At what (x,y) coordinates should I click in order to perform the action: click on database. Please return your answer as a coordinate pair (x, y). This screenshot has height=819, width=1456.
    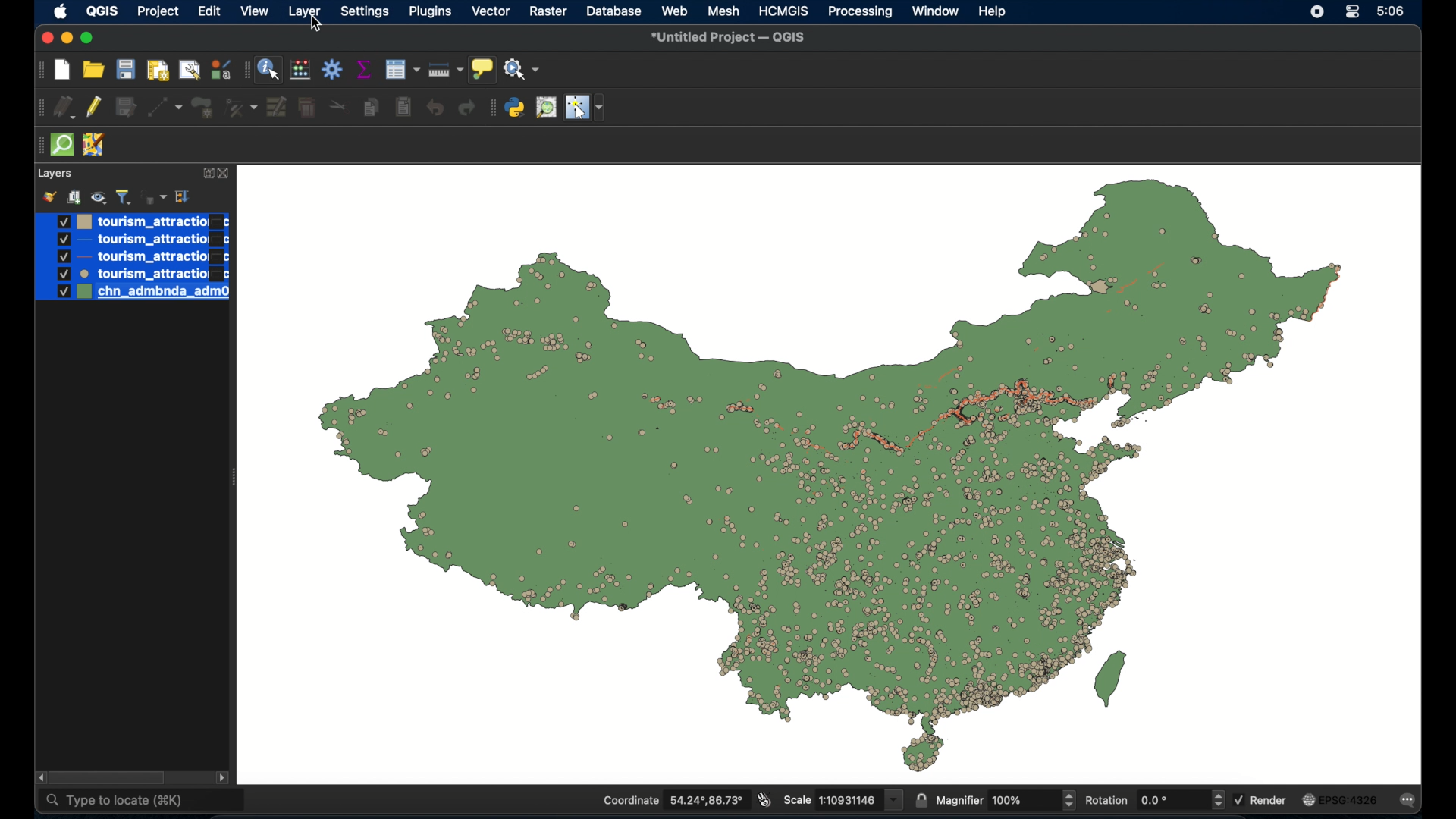
    Looking at the image, I should click on (613, 11).